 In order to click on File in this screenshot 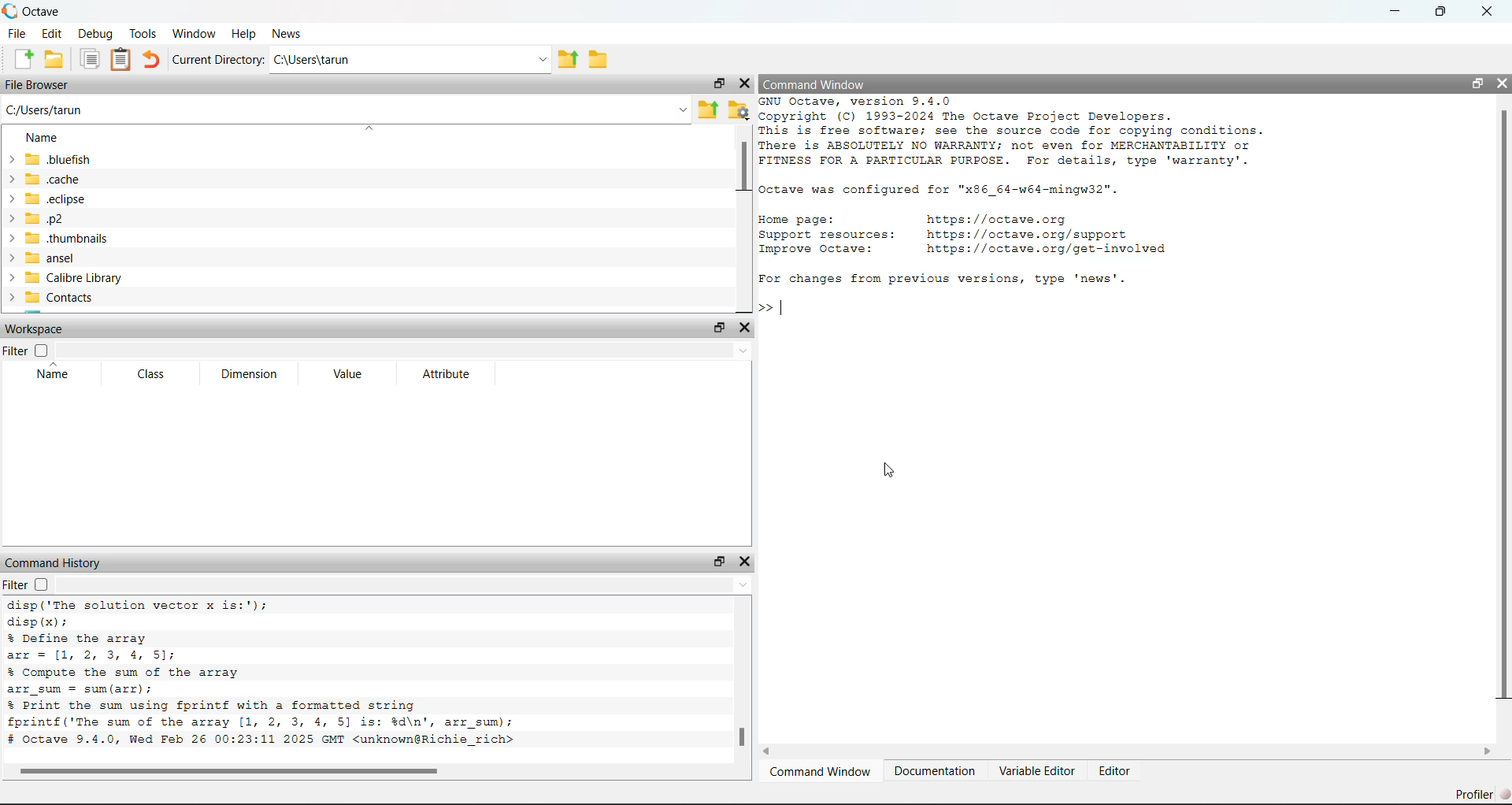, I will do `click(18, 33)`.